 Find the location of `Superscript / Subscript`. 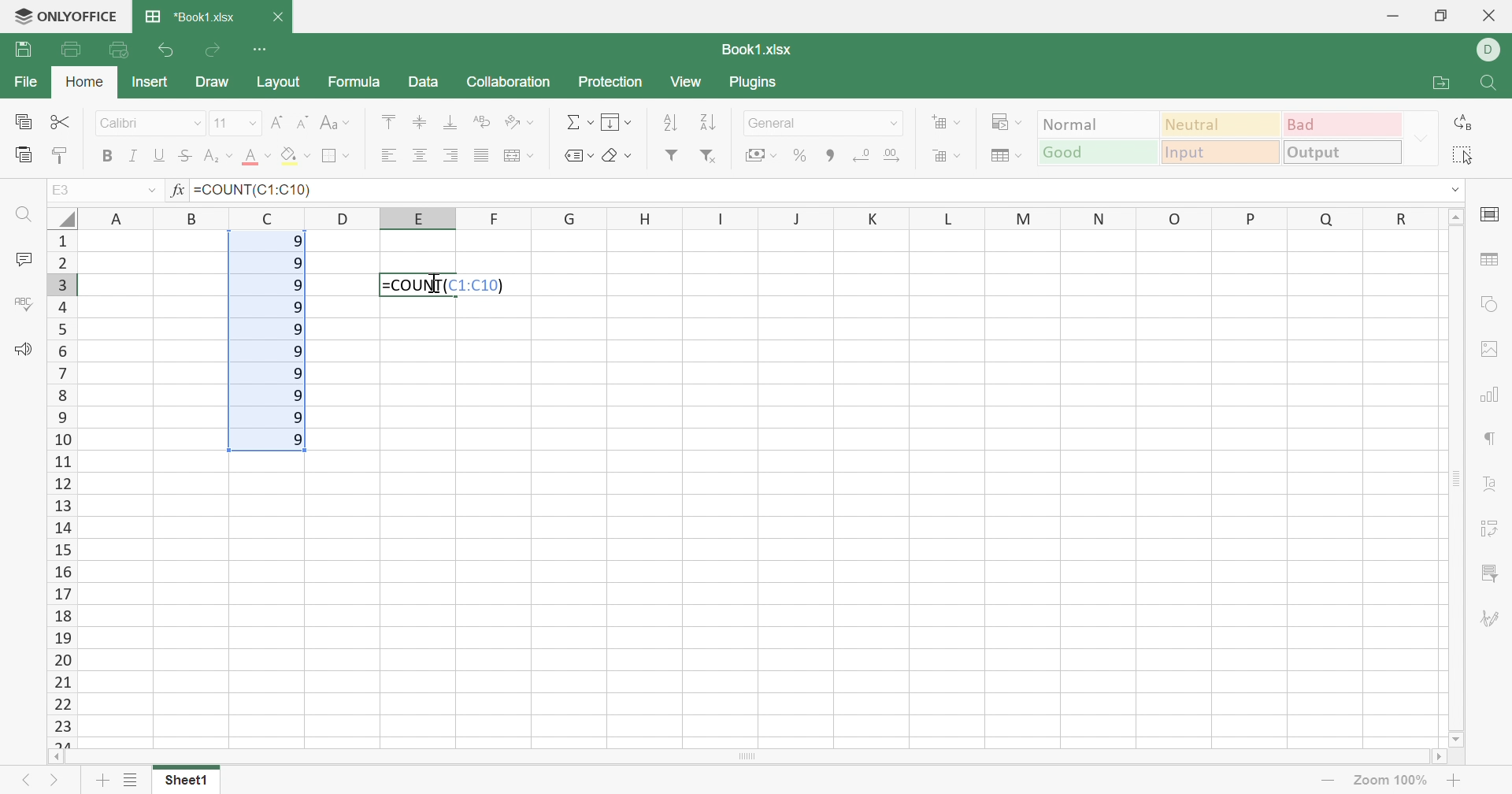

Superscript / Subscript is located at coordinates (216, 157).